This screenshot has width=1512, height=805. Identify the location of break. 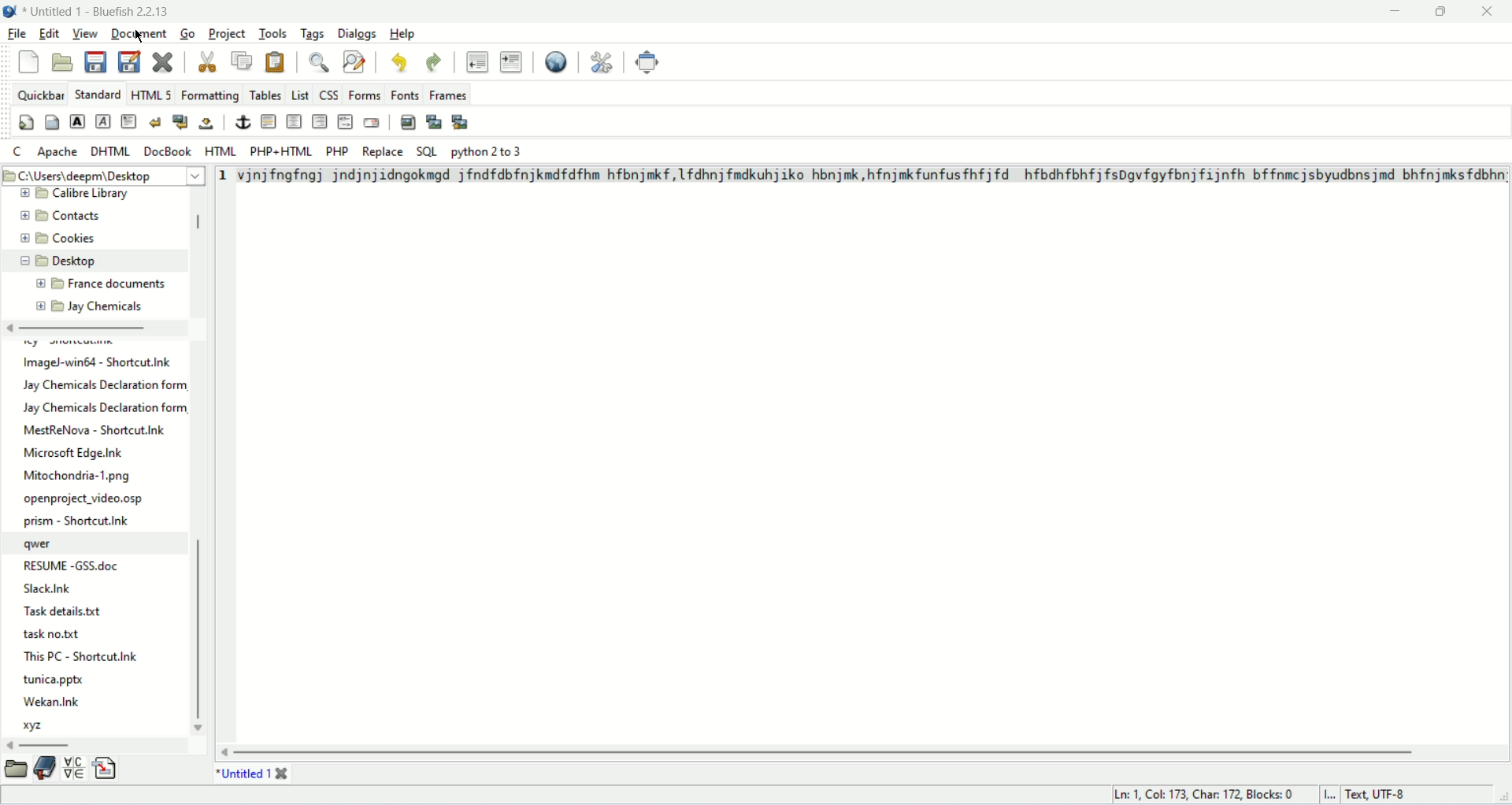
(154, 121).